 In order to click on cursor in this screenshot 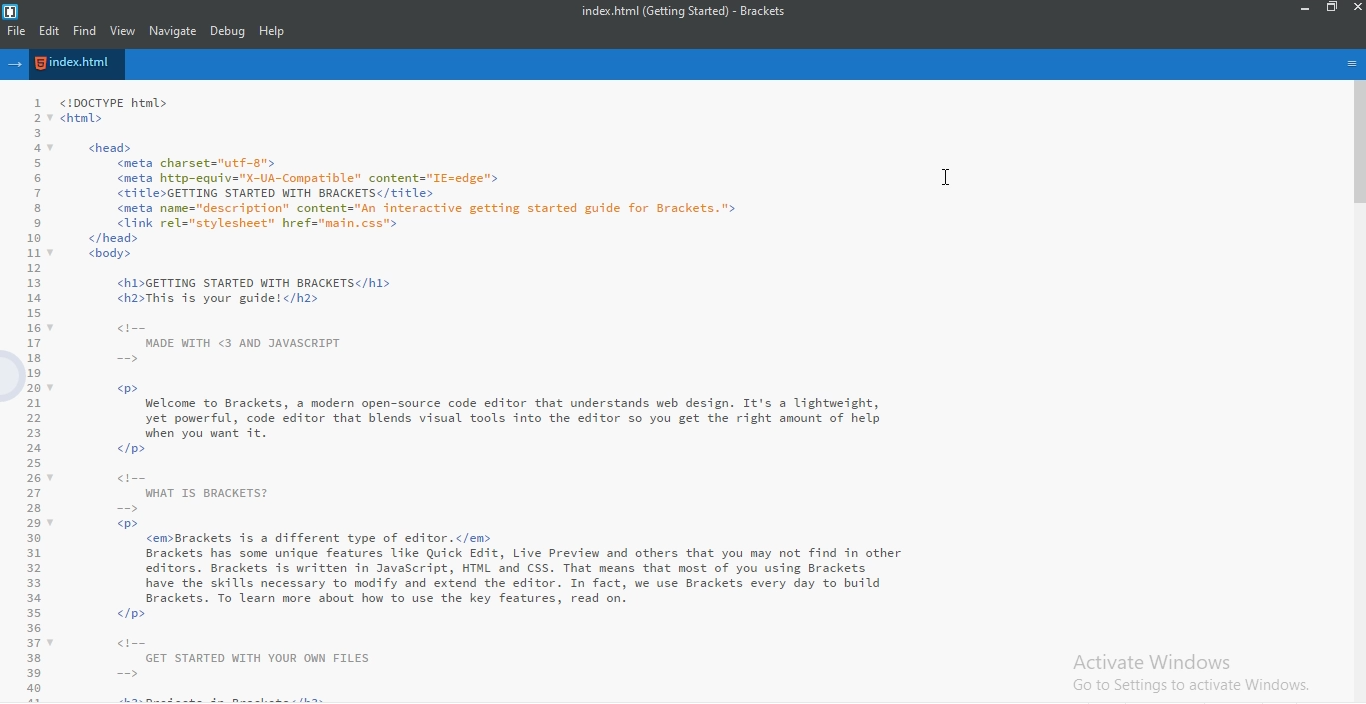, I will do `click(948, 176)`.